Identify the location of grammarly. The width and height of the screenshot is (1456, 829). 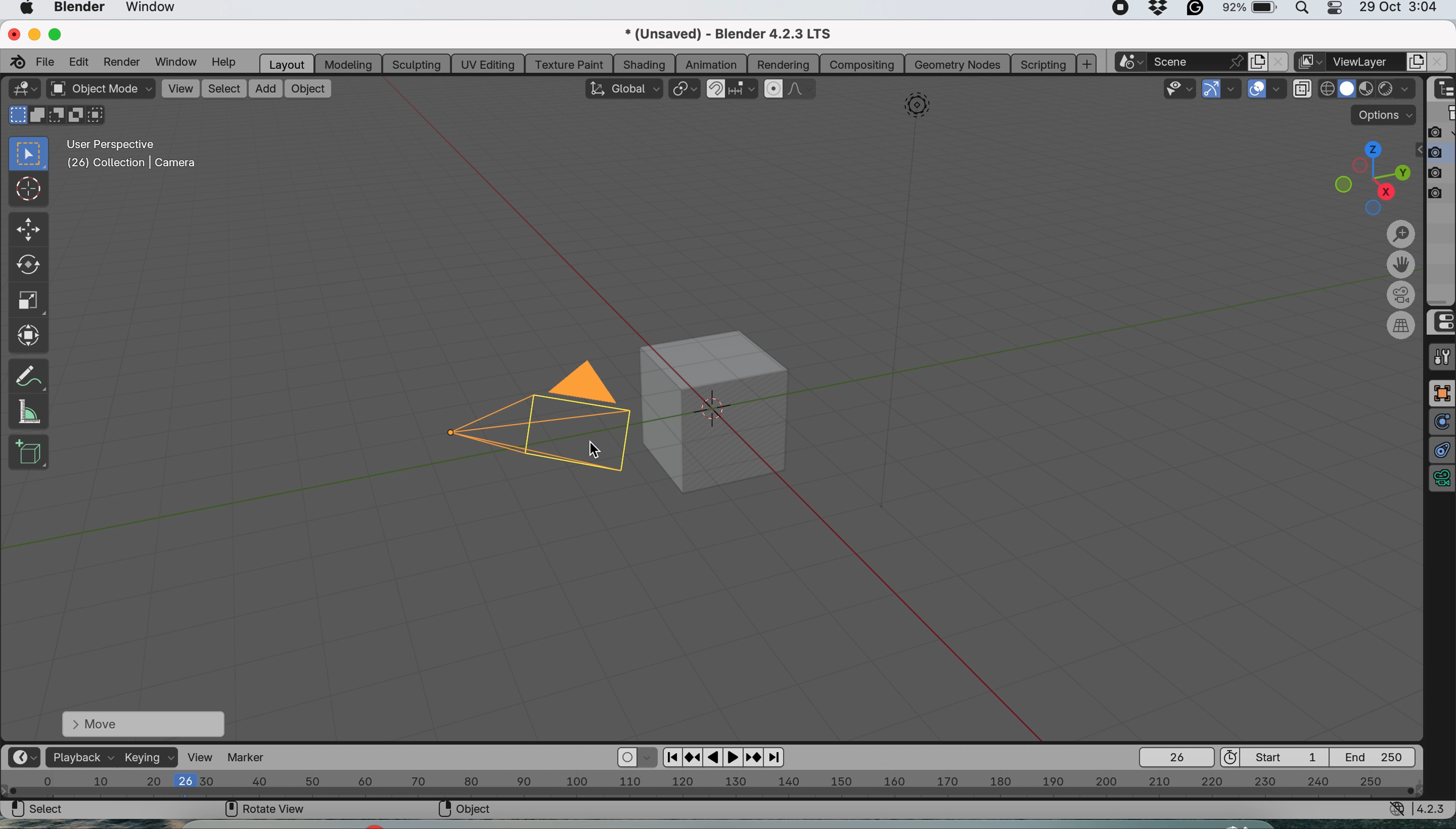
(1196, 10).